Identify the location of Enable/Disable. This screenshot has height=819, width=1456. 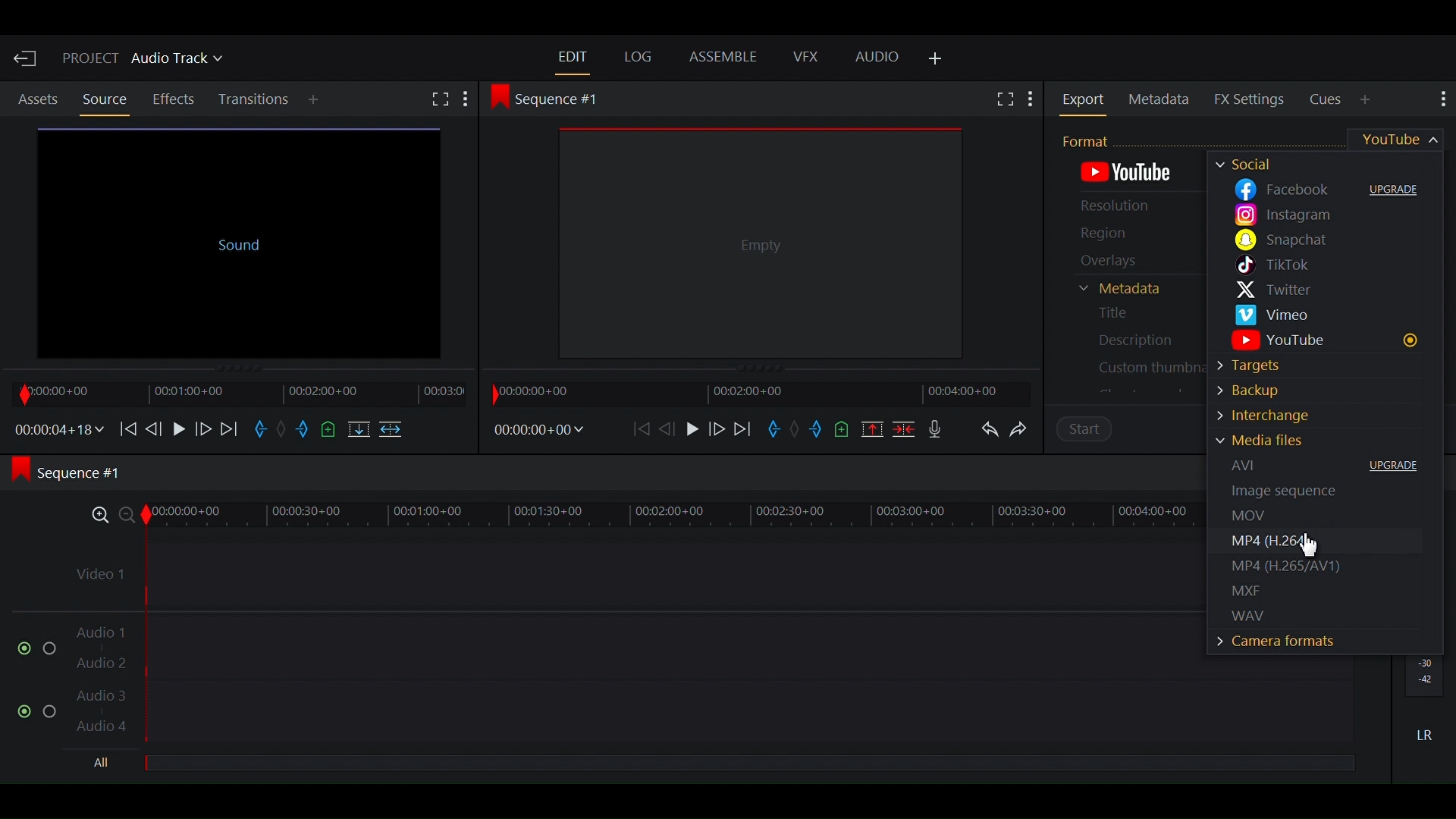
(38, 708).